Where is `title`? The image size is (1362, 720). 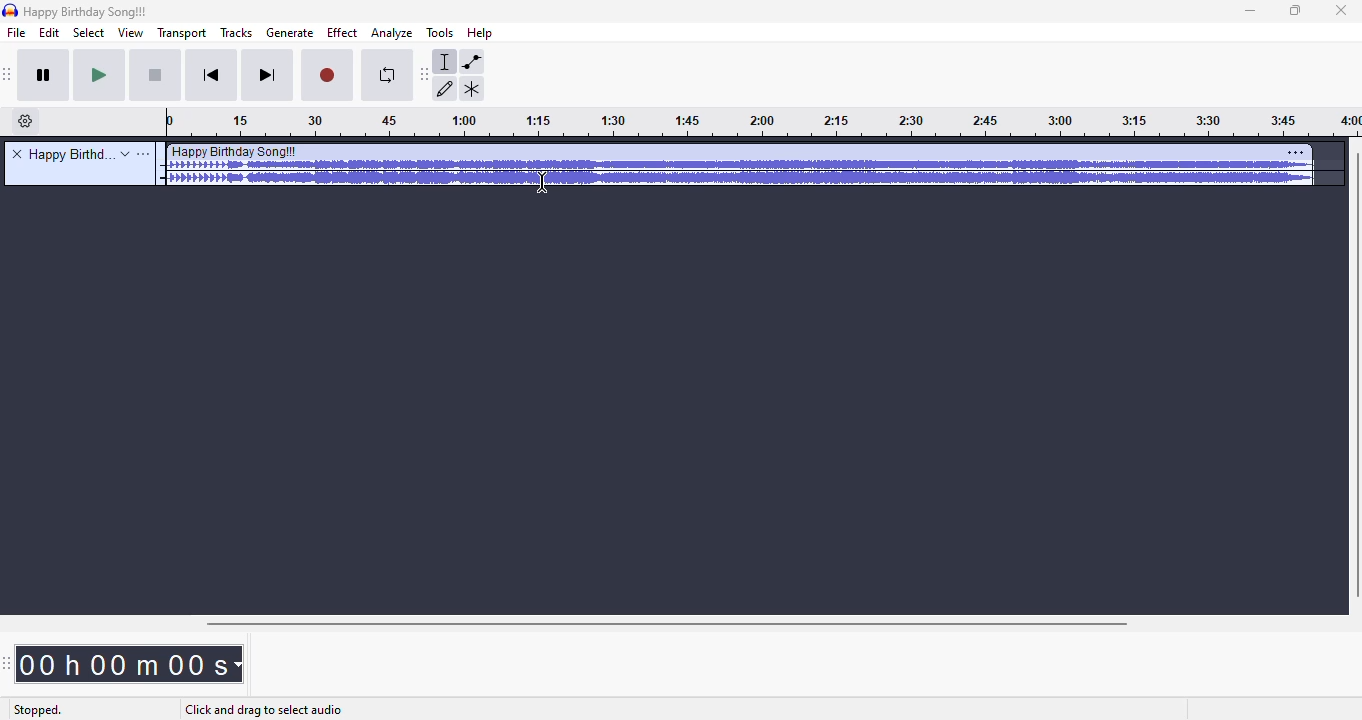
title is located at coordinates (72, 154).